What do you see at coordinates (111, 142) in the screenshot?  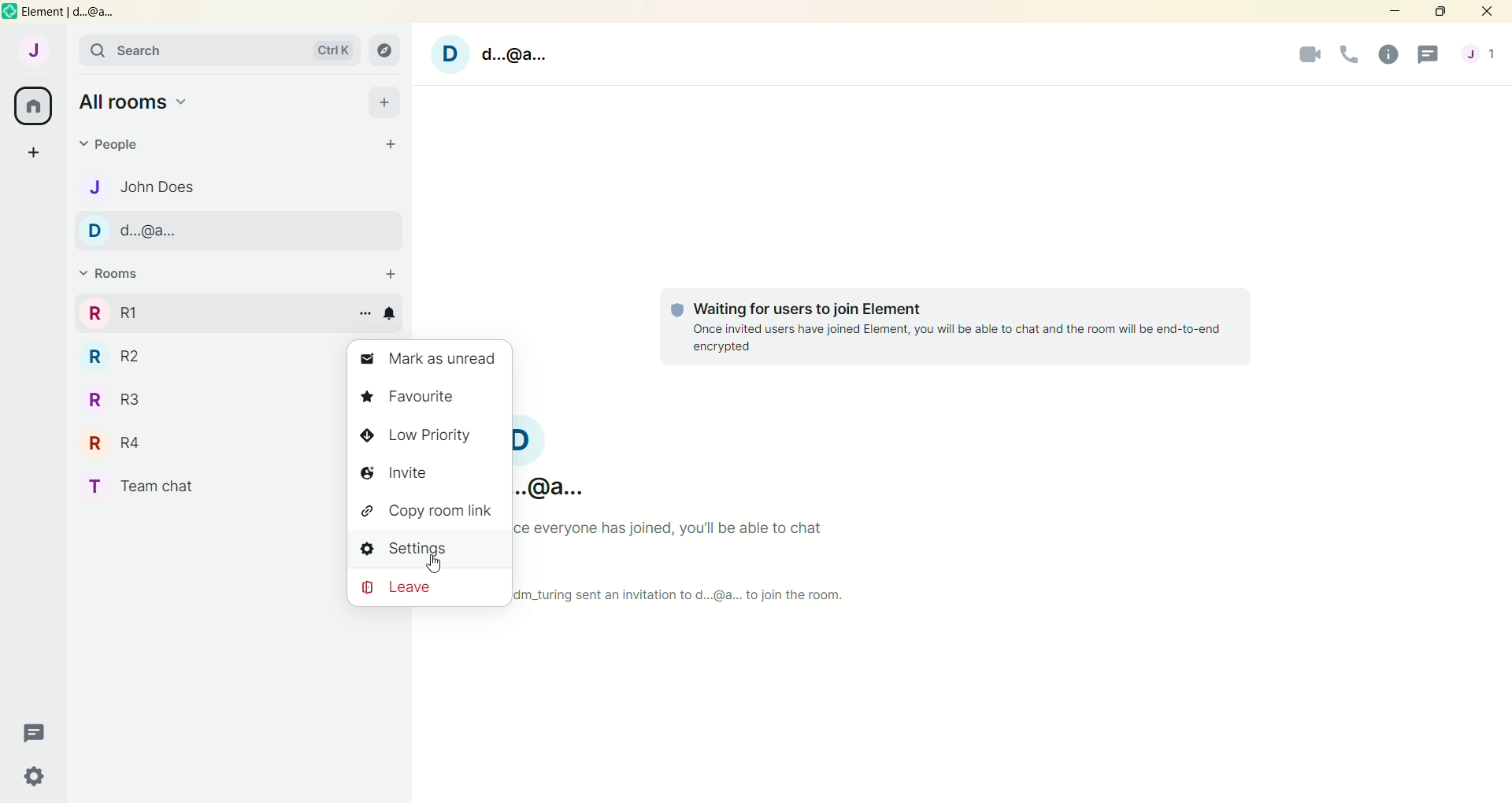 I see `people` at bounding box center [111, 142].